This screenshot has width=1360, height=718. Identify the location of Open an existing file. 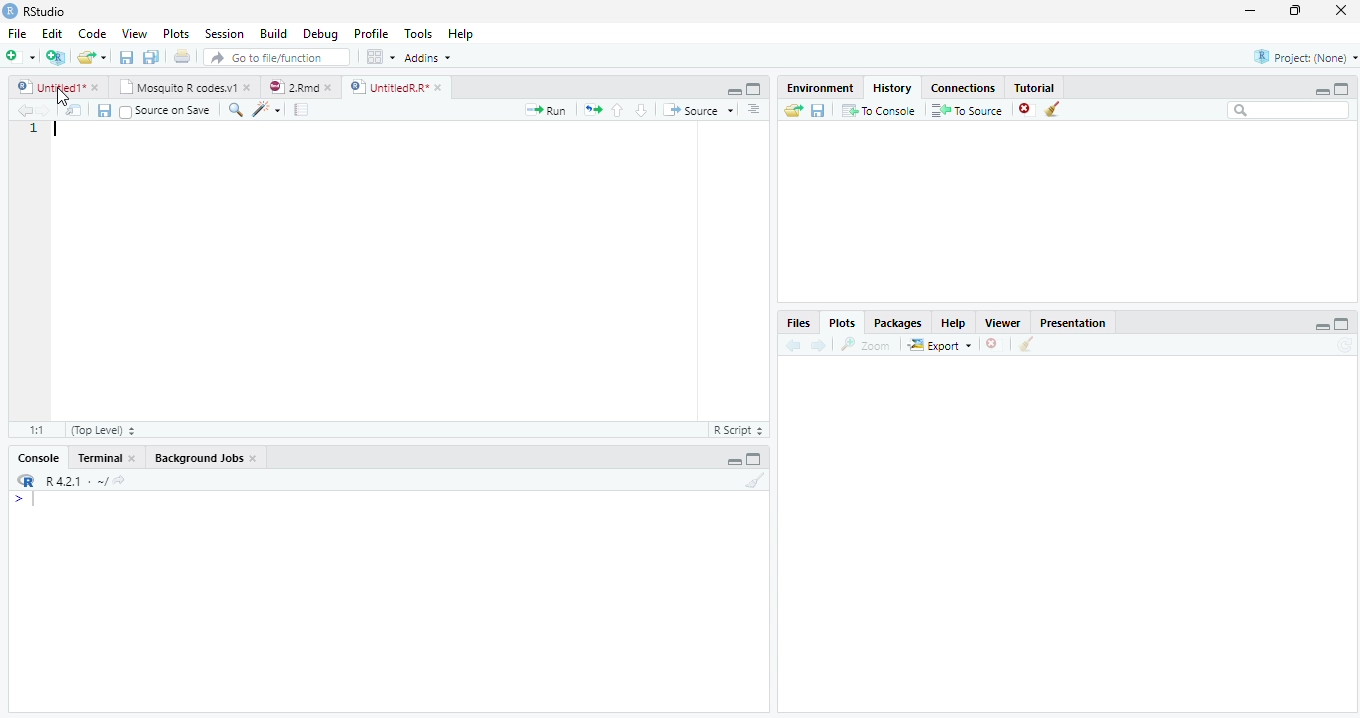
(93, 58).